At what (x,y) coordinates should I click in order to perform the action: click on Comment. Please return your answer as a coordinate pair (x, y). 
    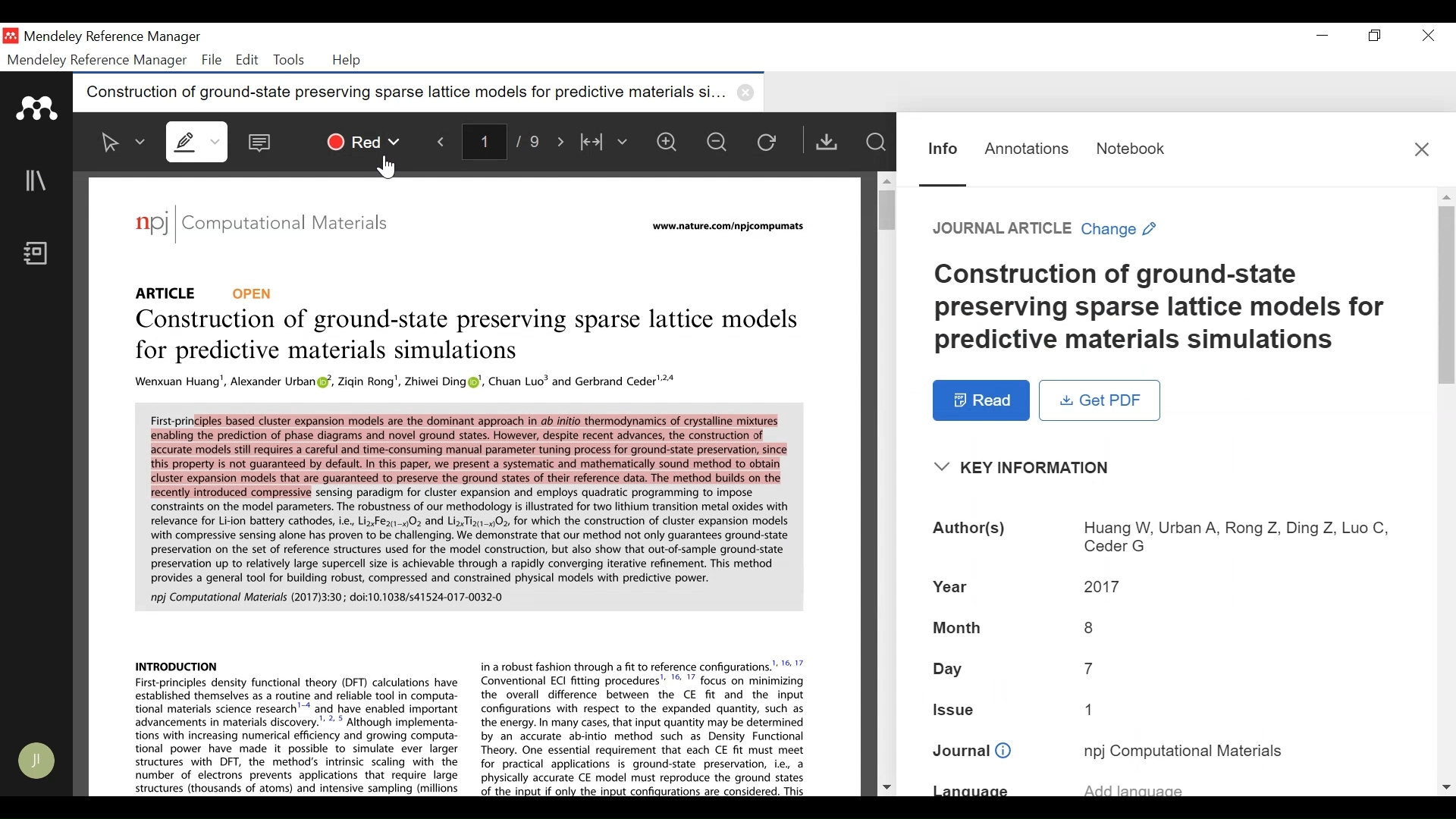
    Looking at the image, I should click on (261, 143).